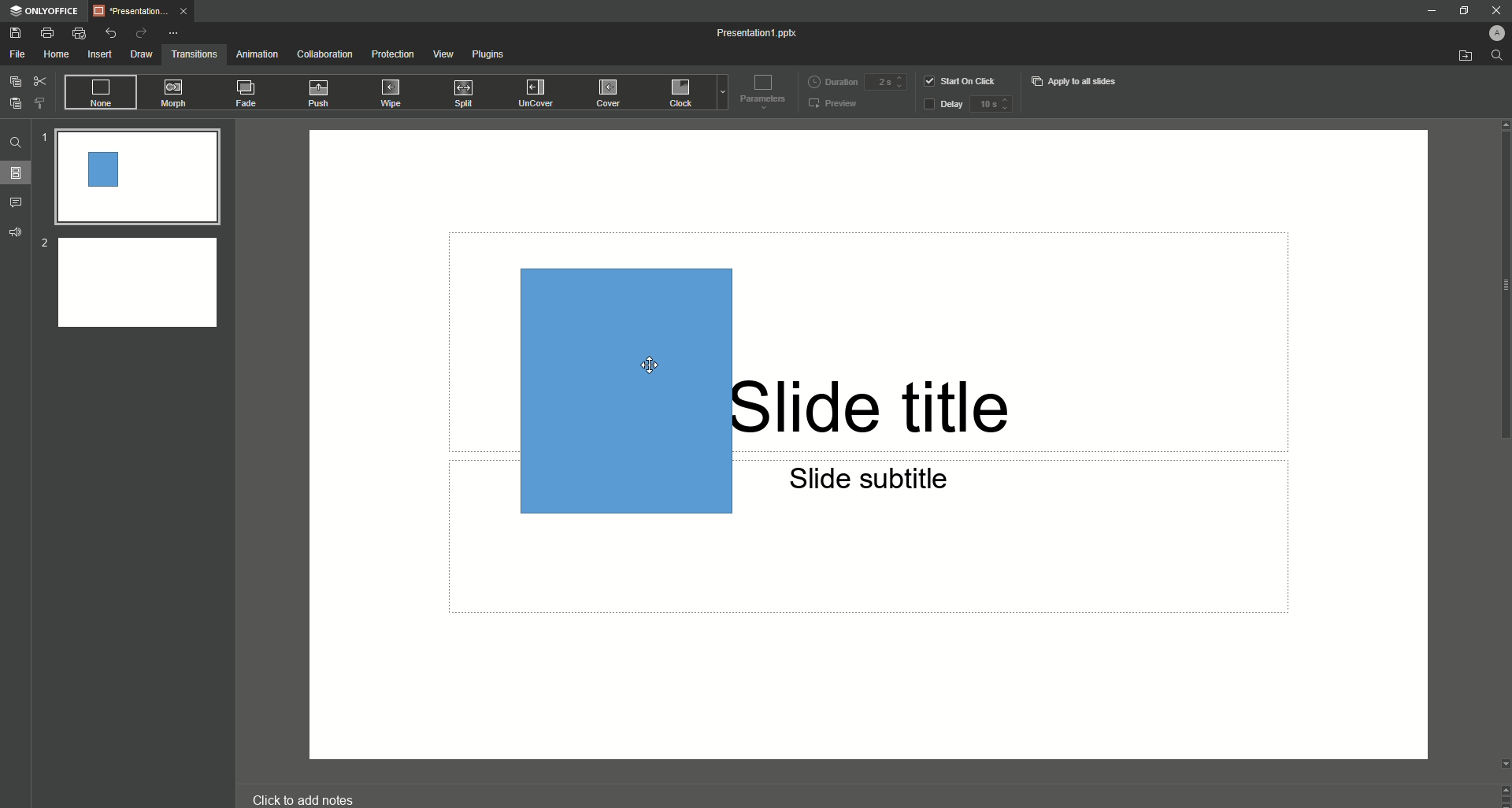 The width and height of the screenshot is (1512, 808). Describe the element at coordinates (760, 35) in the screenshot. I see `Presentation 1` at that location.